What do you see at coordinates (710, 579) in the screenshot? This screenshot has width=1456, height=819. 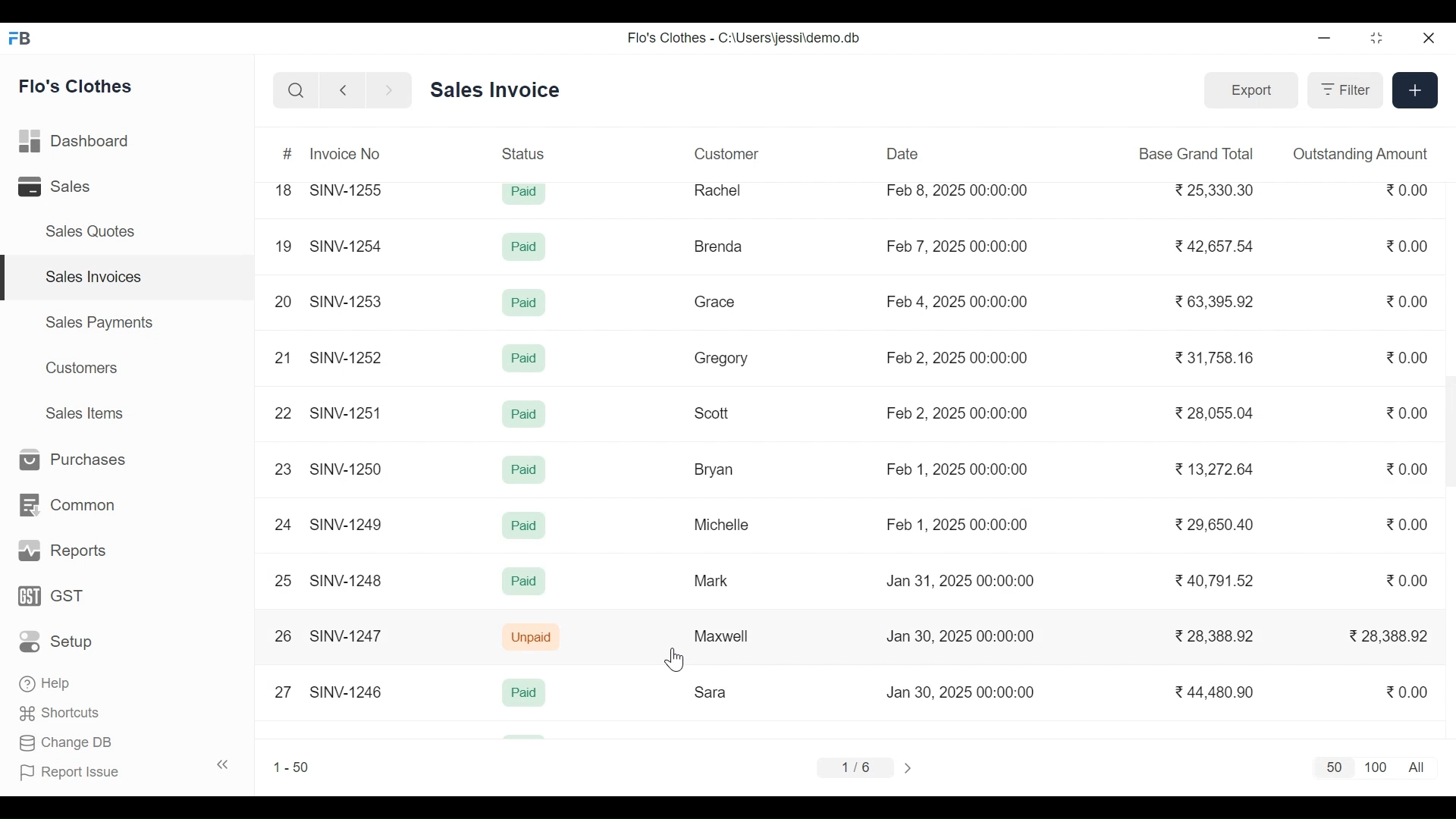 I see `Mark` at bounding box center [710, 579].